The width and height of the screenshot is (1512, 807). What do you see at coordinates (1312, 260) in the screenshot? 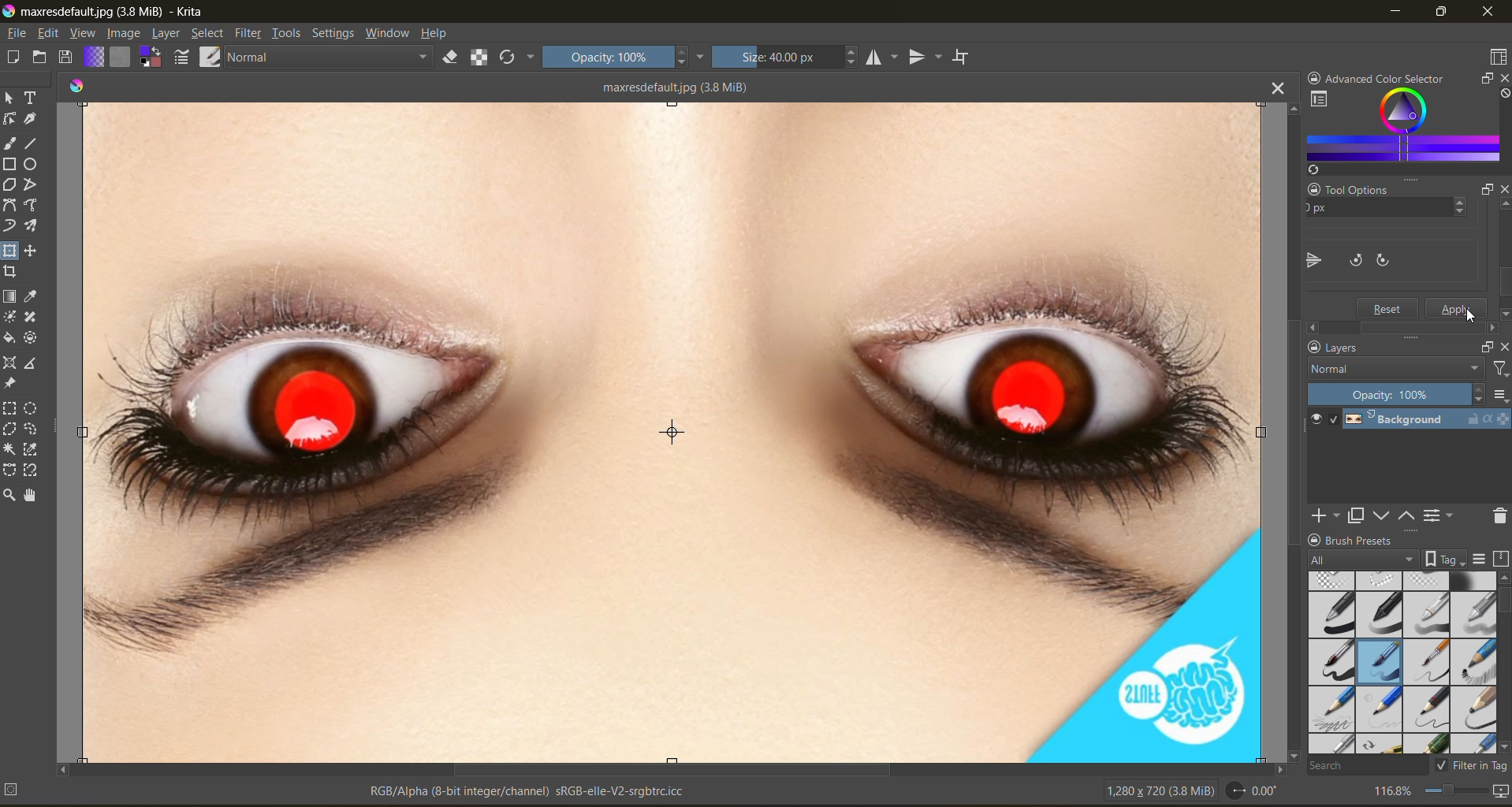
I see `flip horizontally` at bounding box center [1312, 260].